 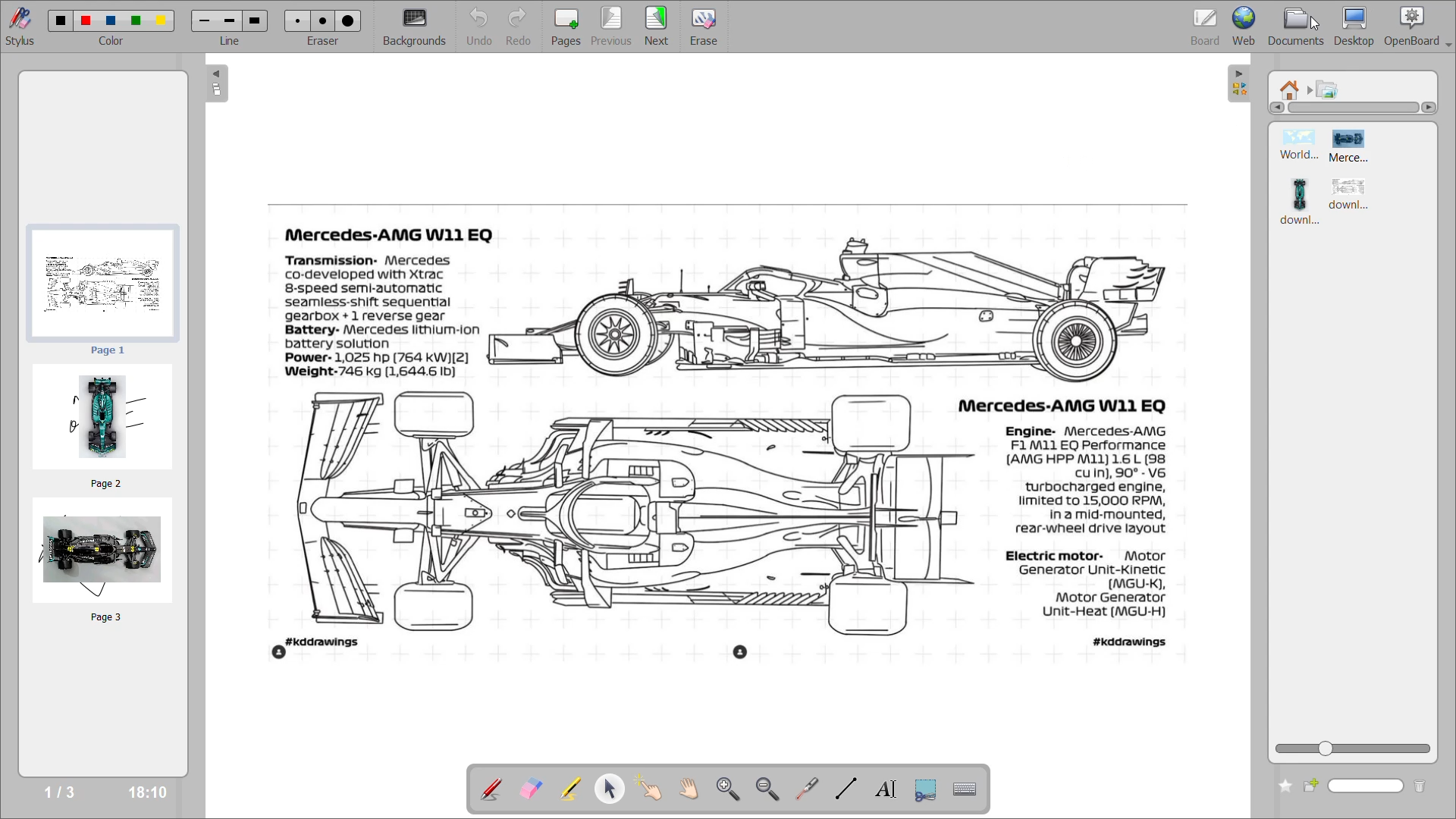 What do you see at coordinates (1065, 404) in the screenshot?
I see `Mercedes-AMG W11 EQ` at bounding box center [1065, 404].